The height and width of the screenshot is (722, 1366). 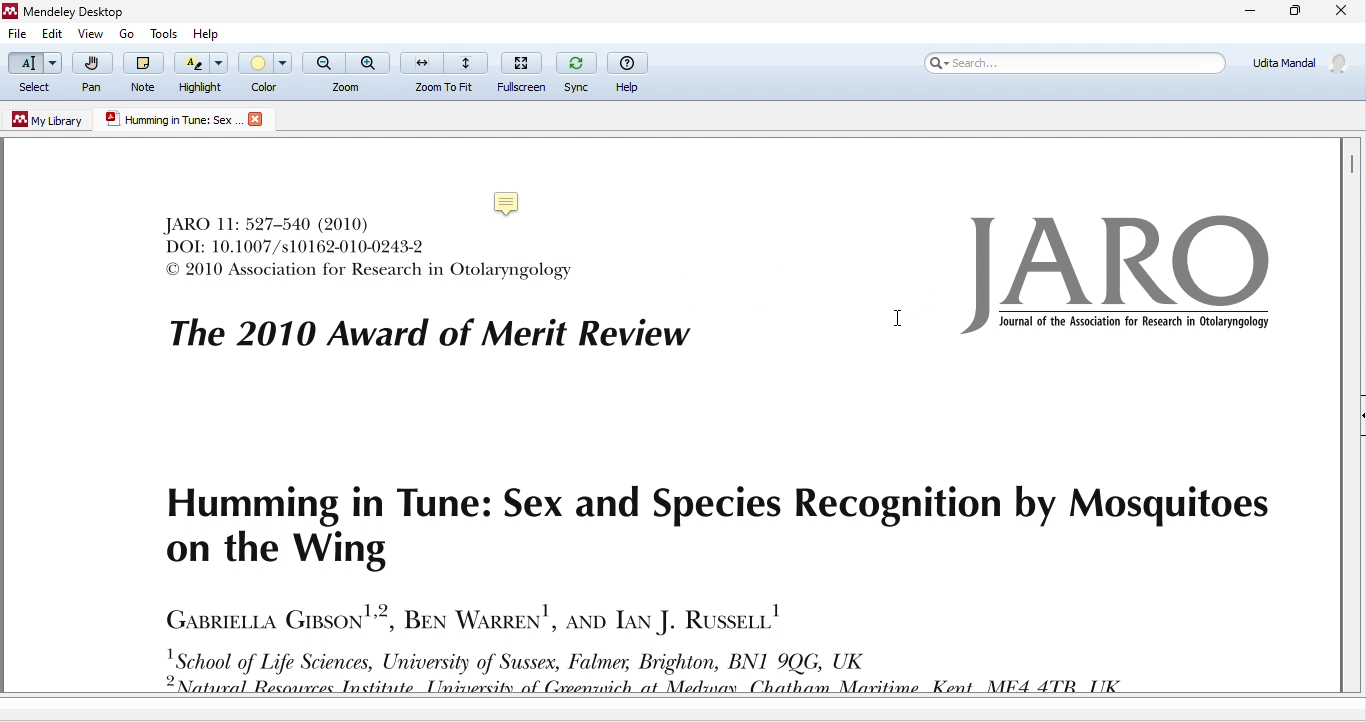 I want to click on my library, so click(x=44, y=122).